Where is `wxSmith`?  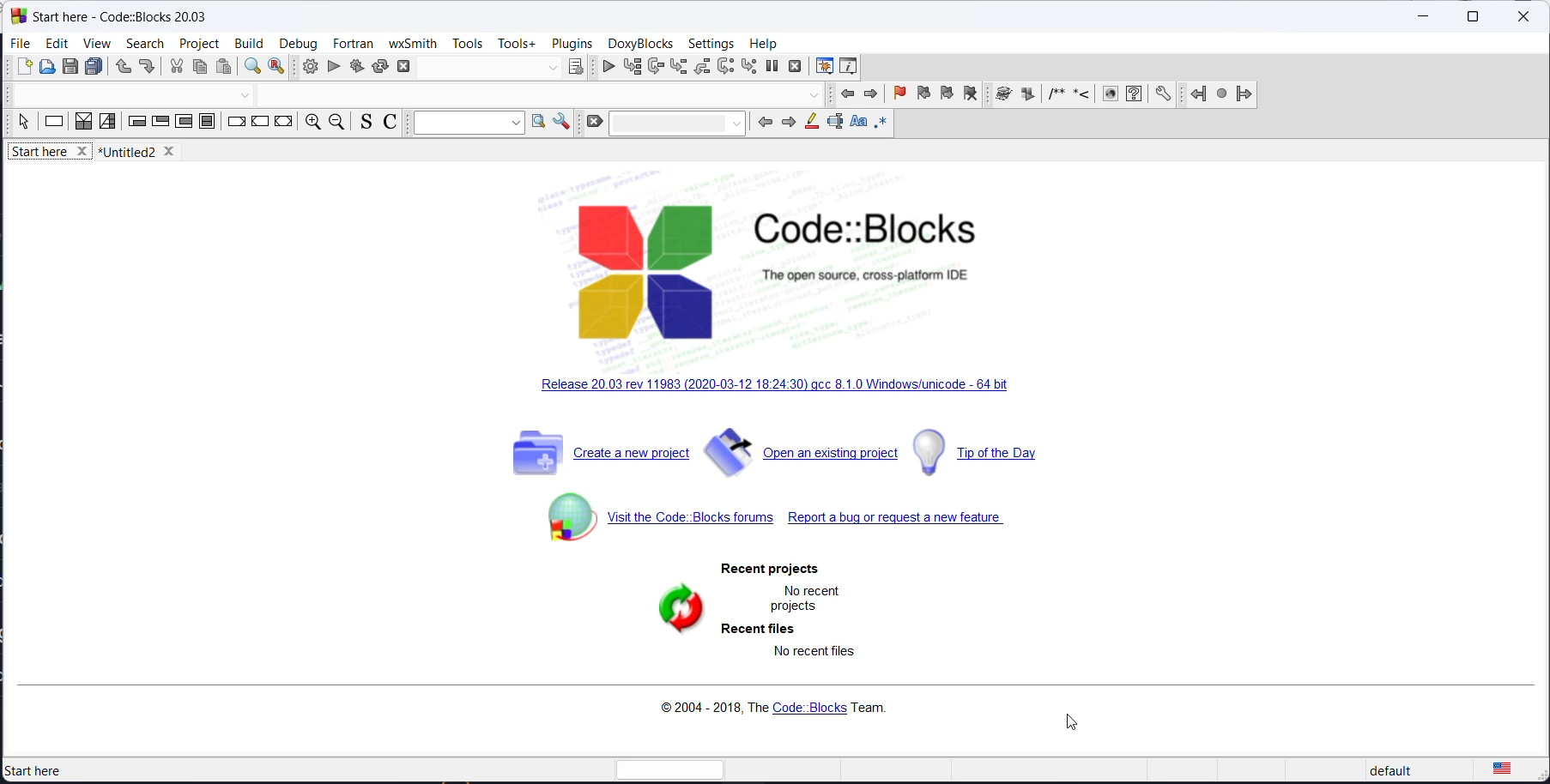
wxSmith is located at coordinates (412, 43).